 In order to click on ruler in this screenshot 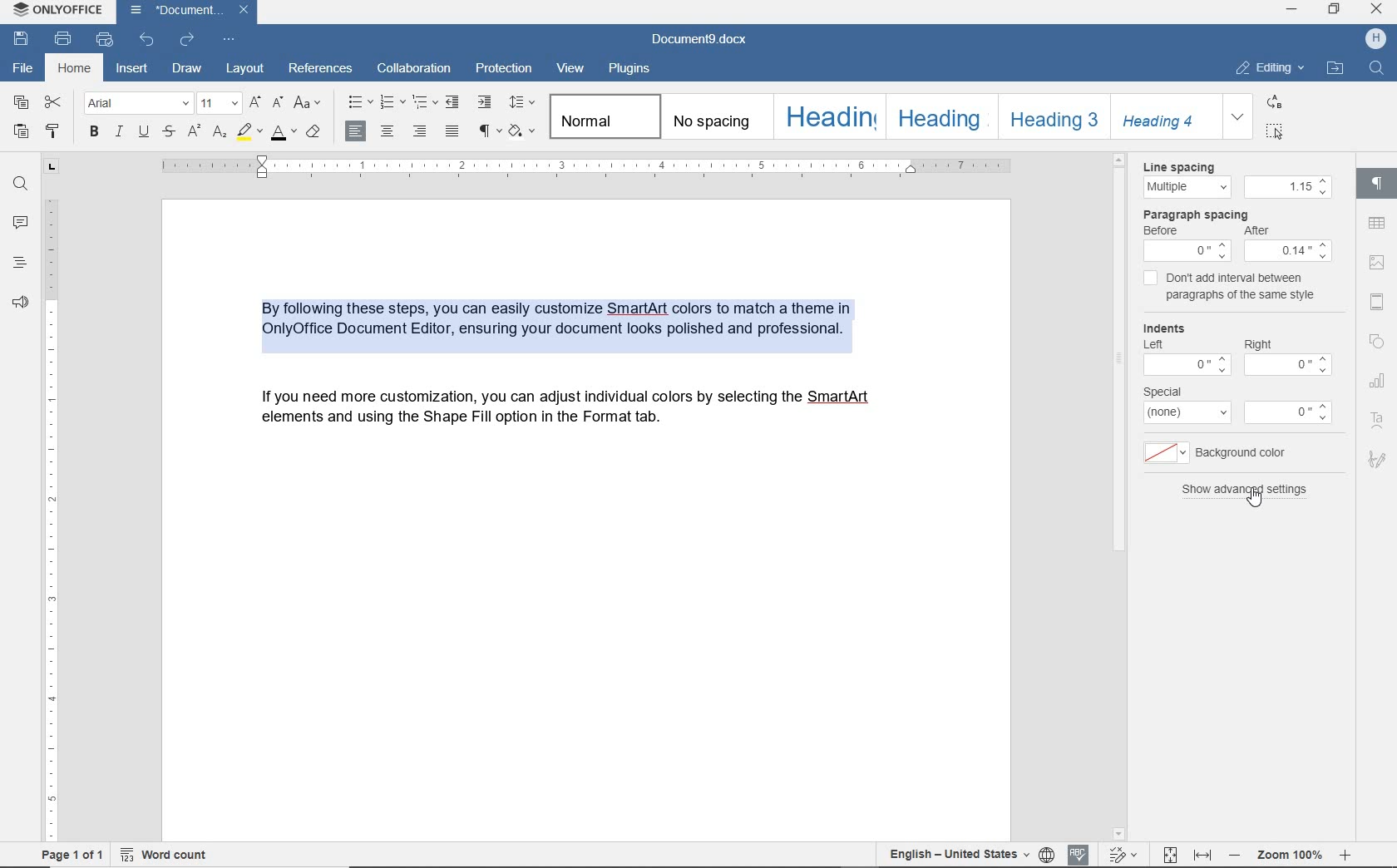, I will do `click(575, 167)`.